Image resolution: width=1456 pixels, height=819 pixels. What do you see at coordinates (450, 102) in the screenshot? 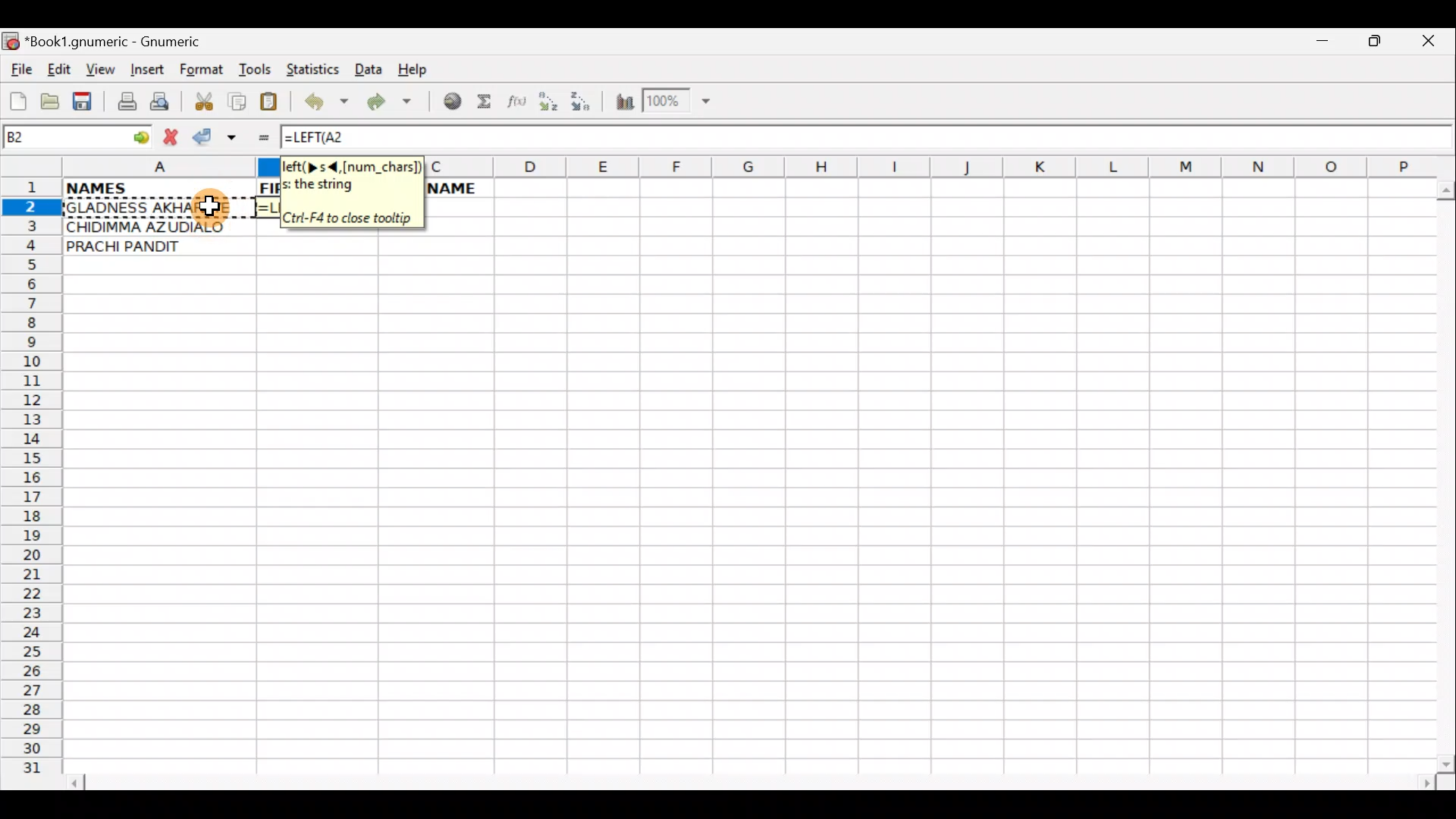
I see `Insert hyperlink` at bounding box center [450, 102].